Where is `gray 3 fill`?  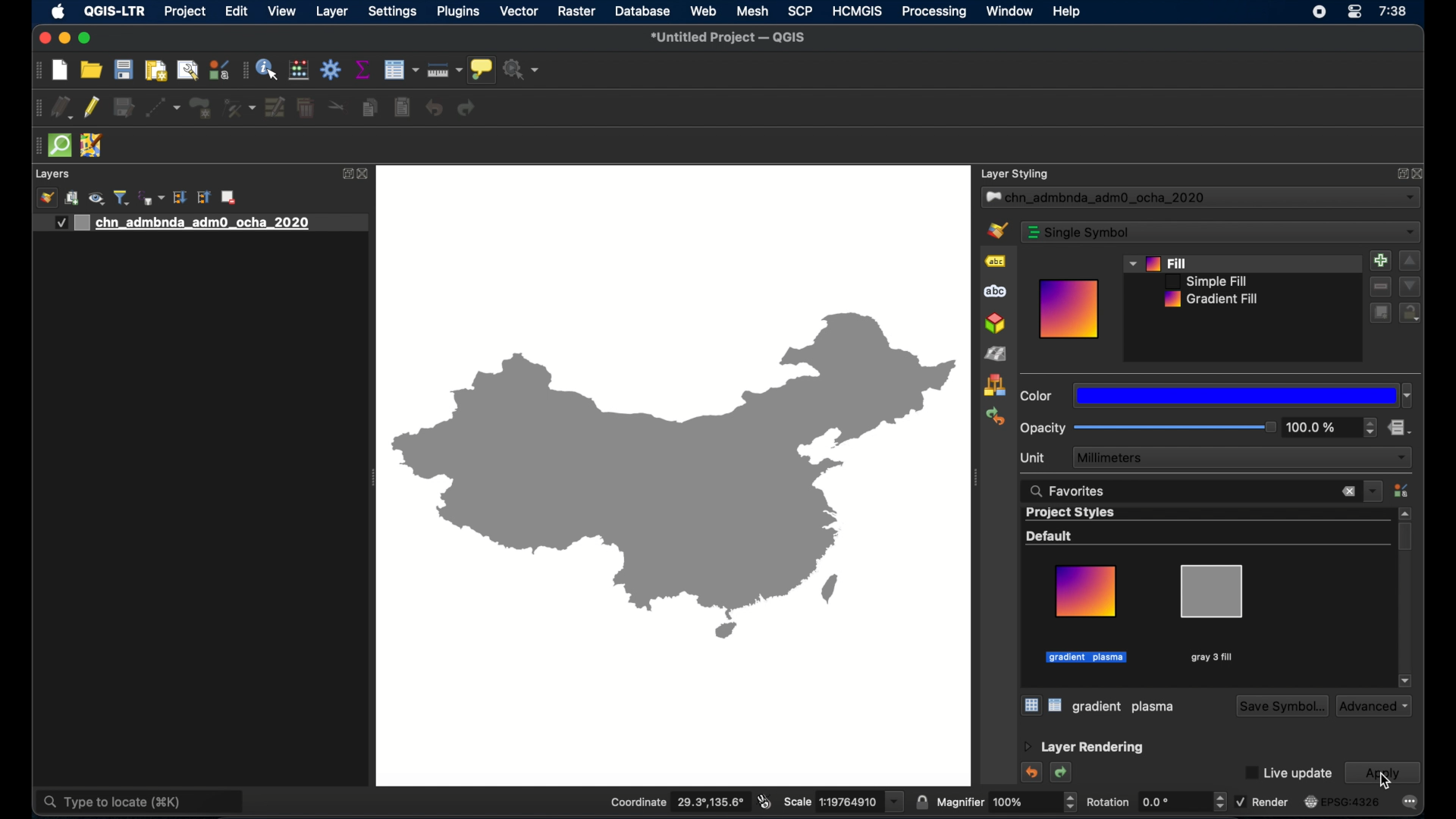
gray 3 fill is located at coordinates (1125, 707).